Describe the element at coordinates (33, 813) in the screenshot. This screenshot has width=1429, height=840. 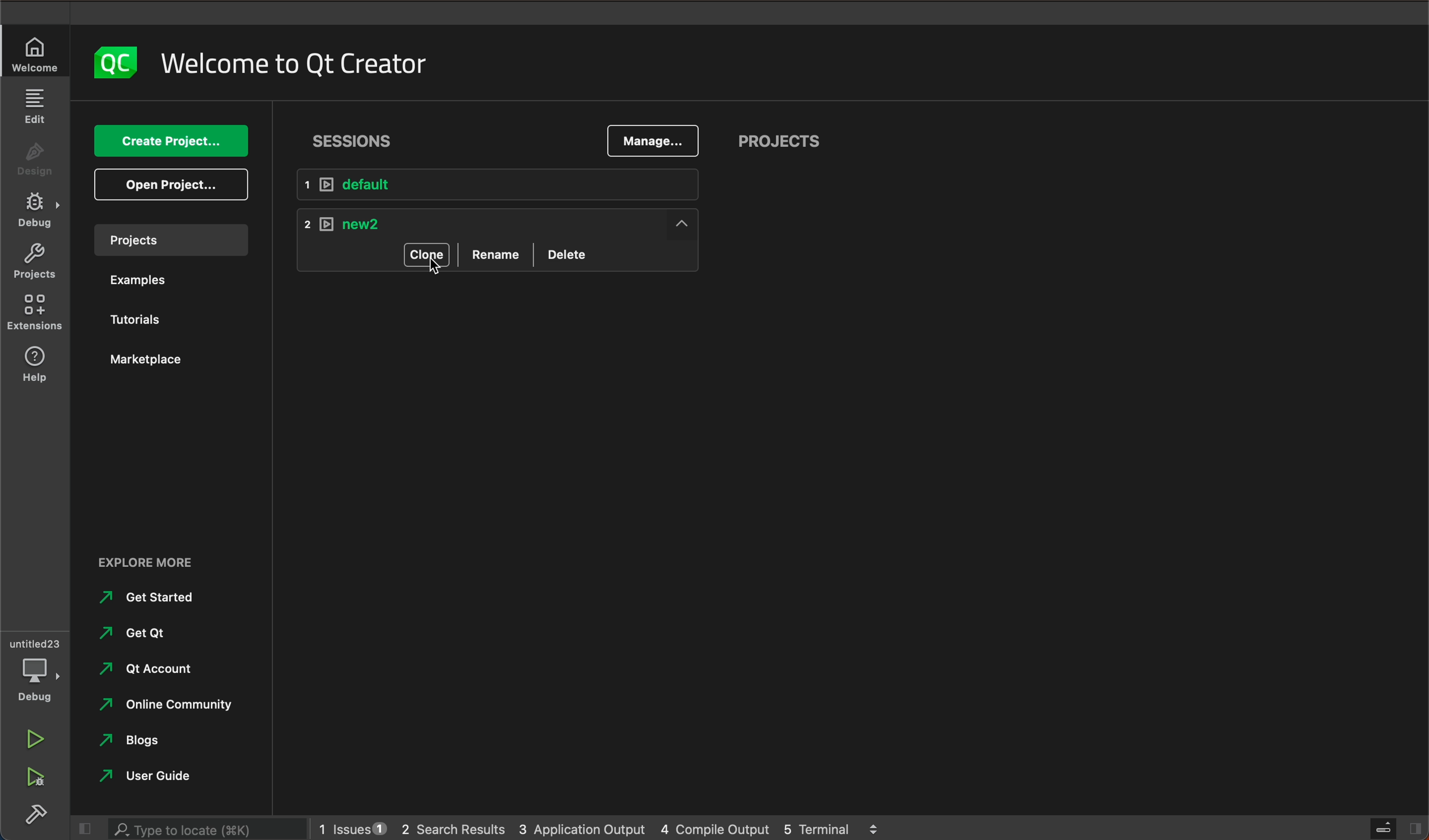
I see `build` at that location.